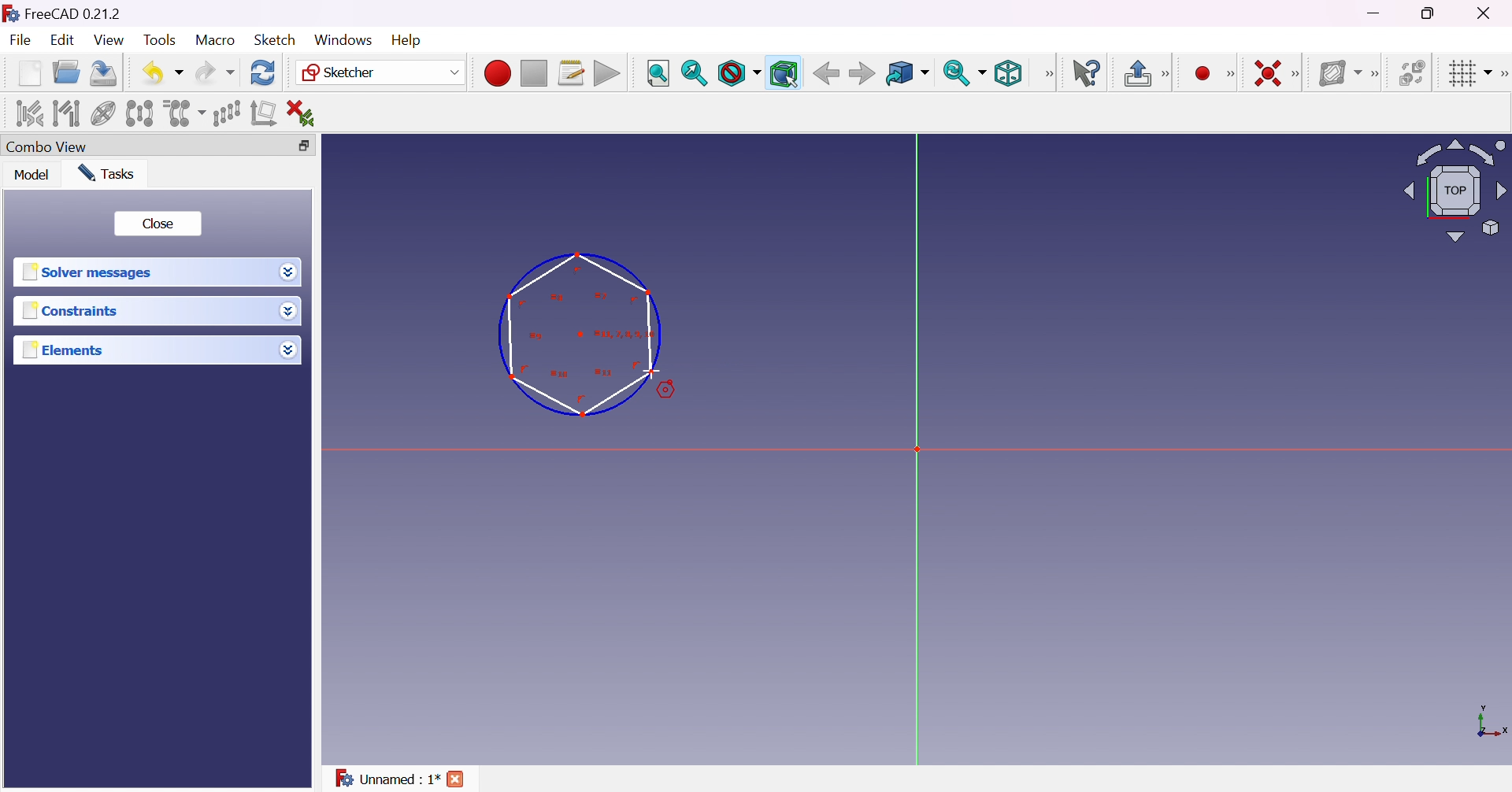 The image size is (1512, 792). Describe the element at coordinates (306, 114) in the screenshot. I see `Delete all constraints` at that location.